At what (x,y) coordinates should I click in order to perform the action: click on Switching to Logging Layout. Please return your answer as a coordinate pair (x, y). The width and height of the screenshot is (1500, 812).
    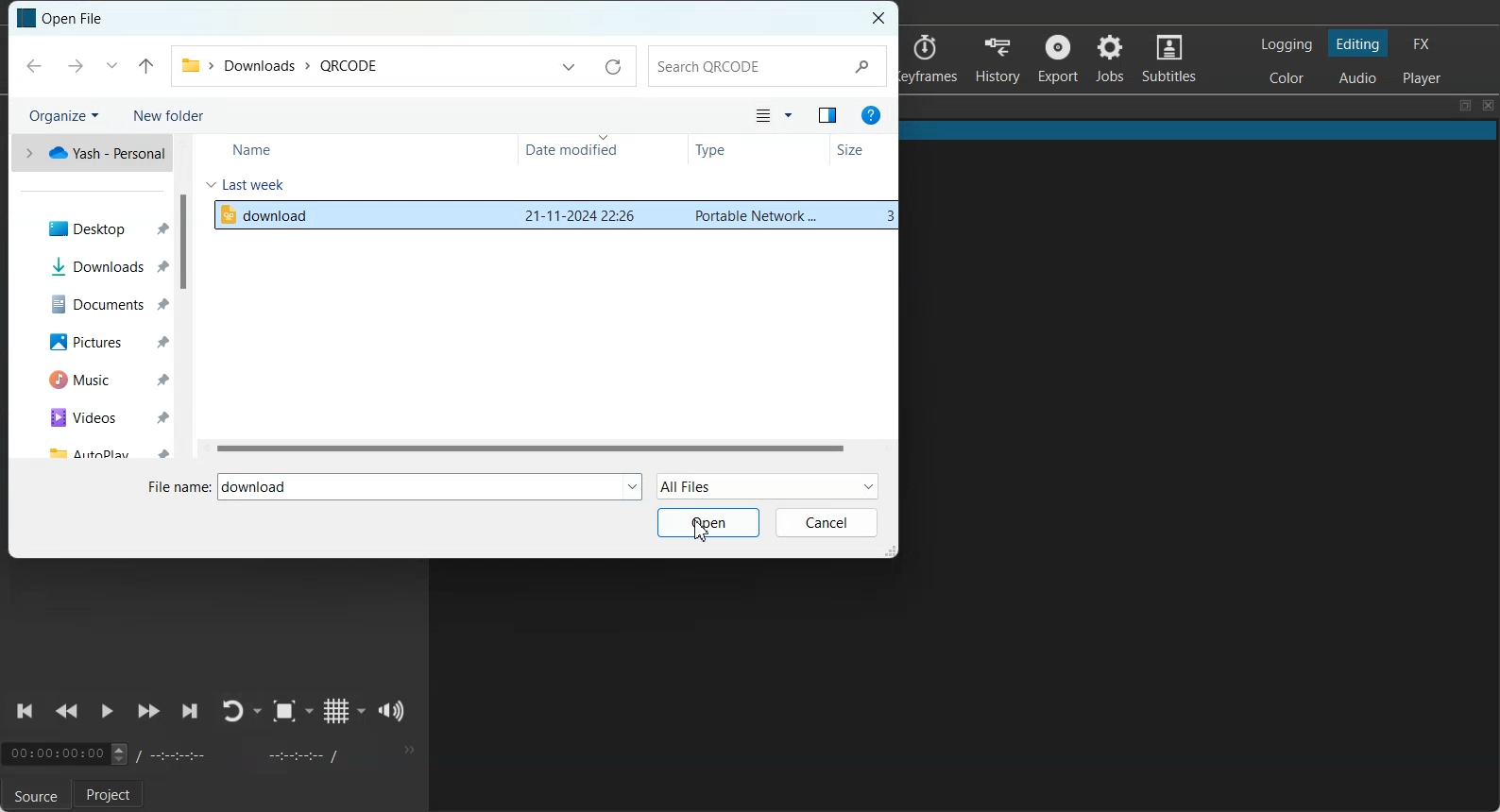
    Looking at the image, I should click on (1286, 44).